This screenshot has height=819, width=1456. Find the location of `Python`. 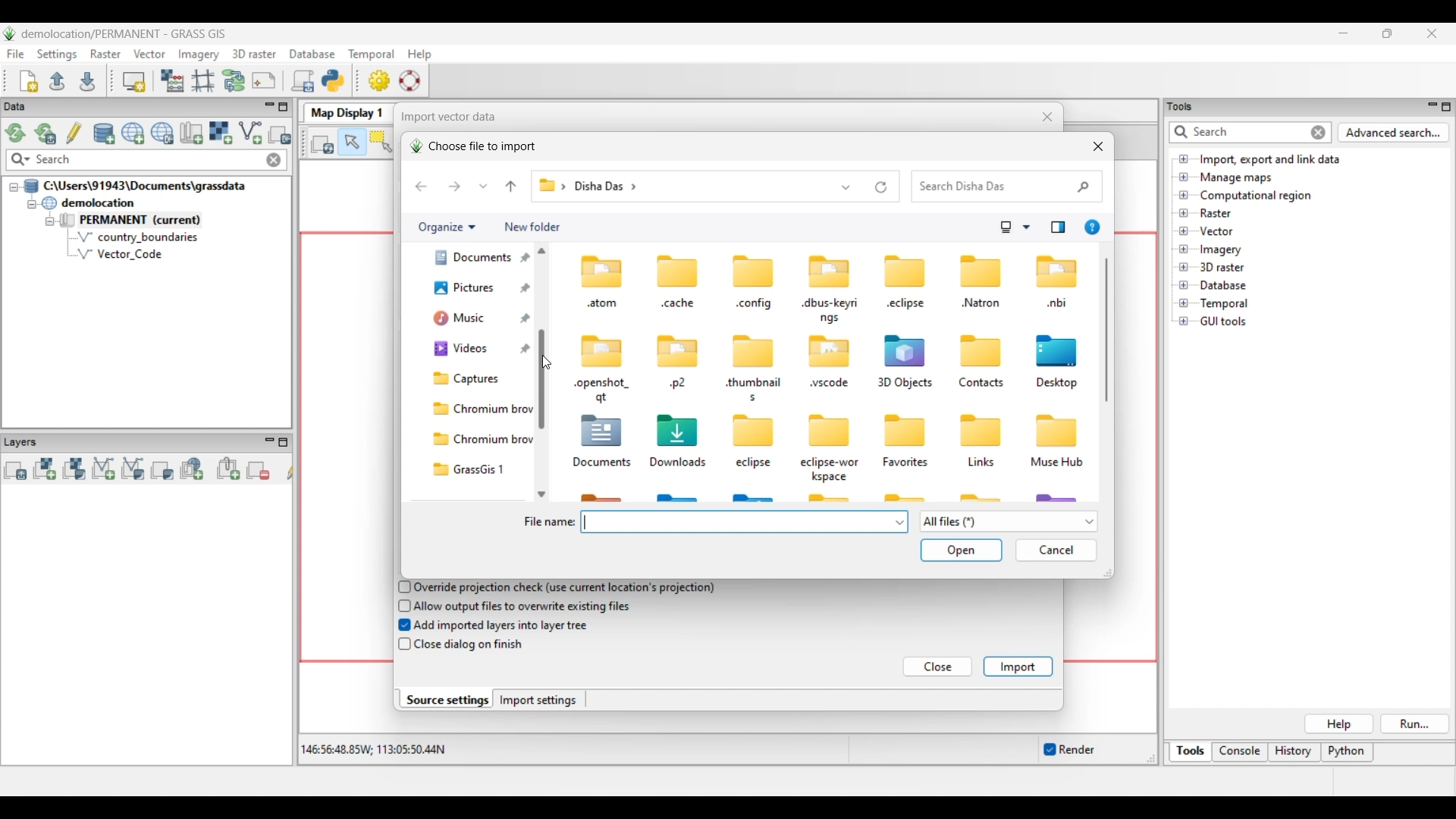

Python is located at coordinates (1348, 753).